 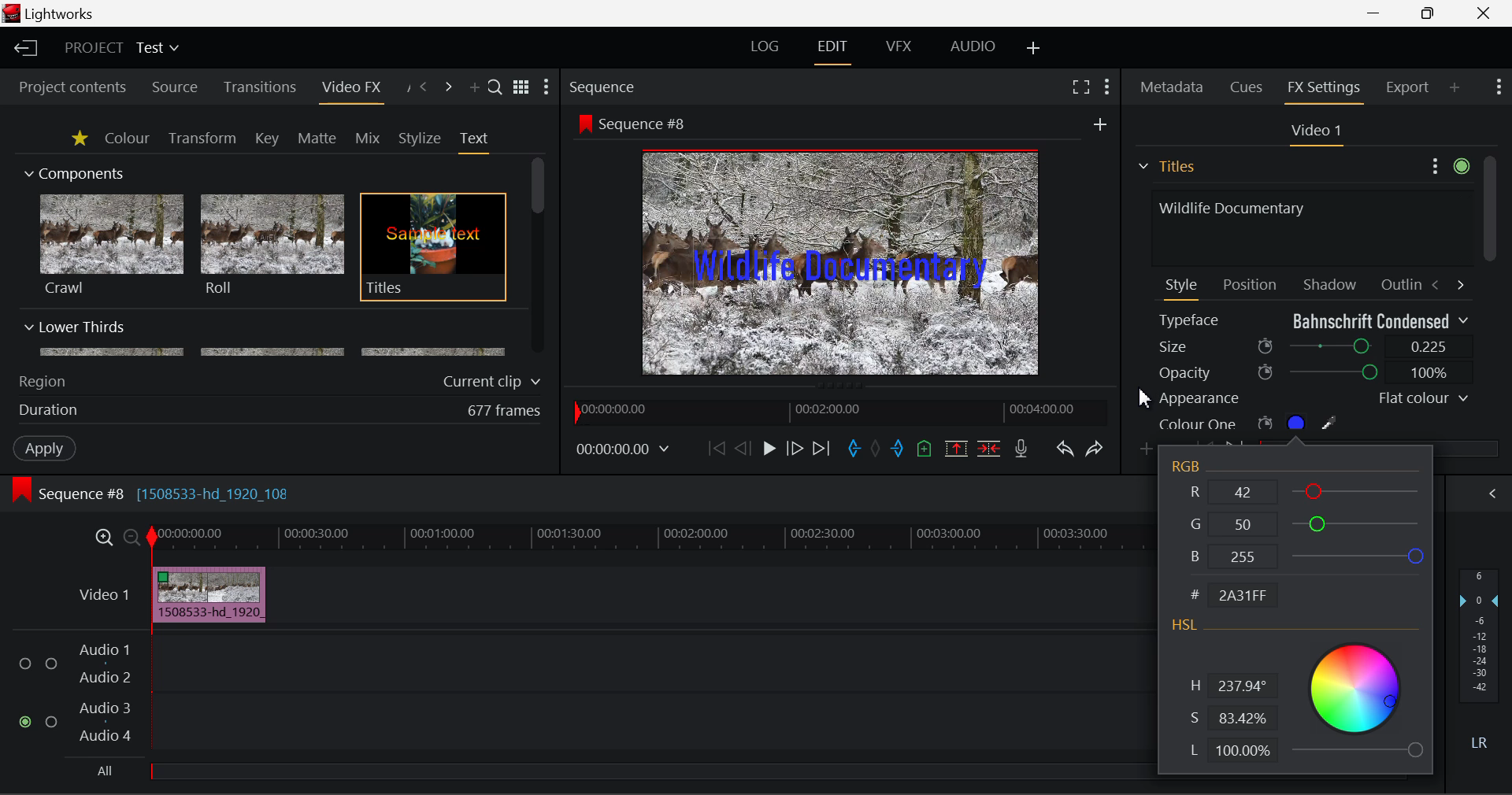 I want to click on Export, so click(x=1408, y=87).